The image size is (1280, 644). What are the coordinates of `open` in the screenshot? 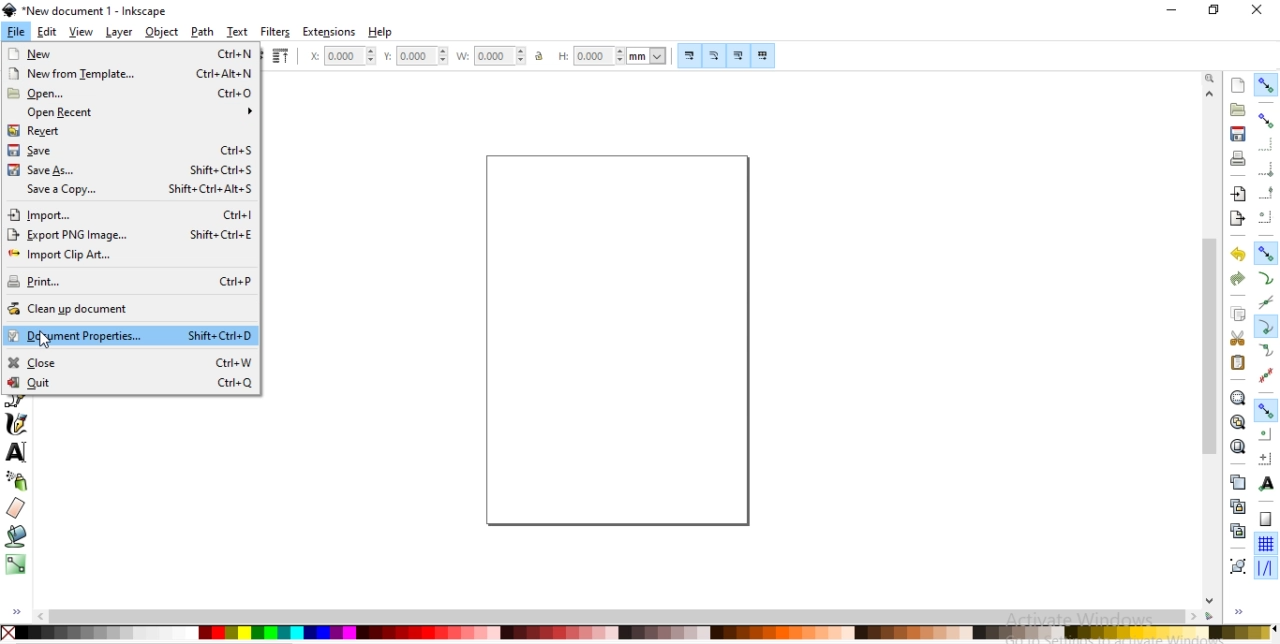 It's located at (129, 95).